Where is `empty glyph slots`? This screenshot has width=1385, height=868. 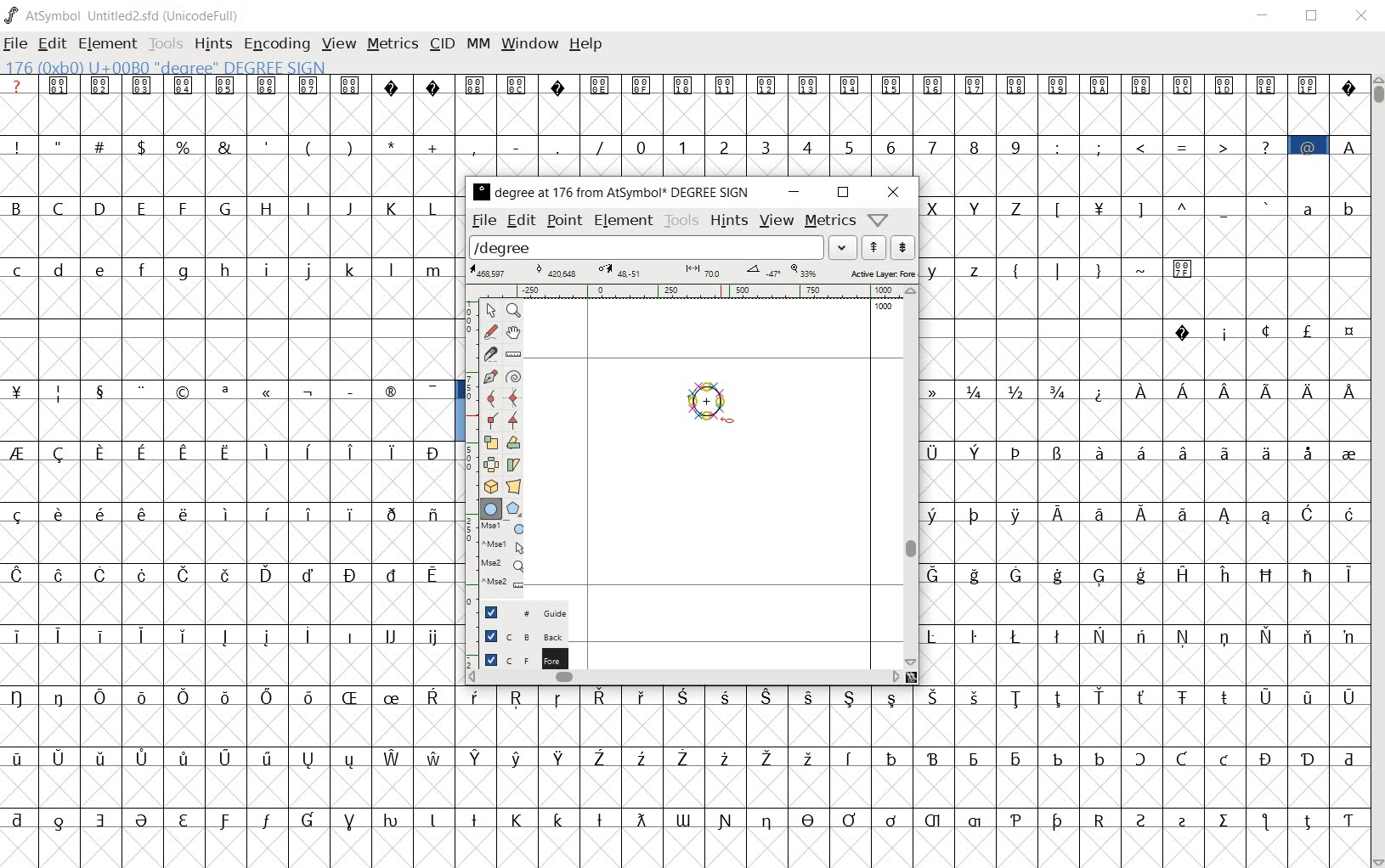
empty glyph slots is located at coordinates (1146, 174).